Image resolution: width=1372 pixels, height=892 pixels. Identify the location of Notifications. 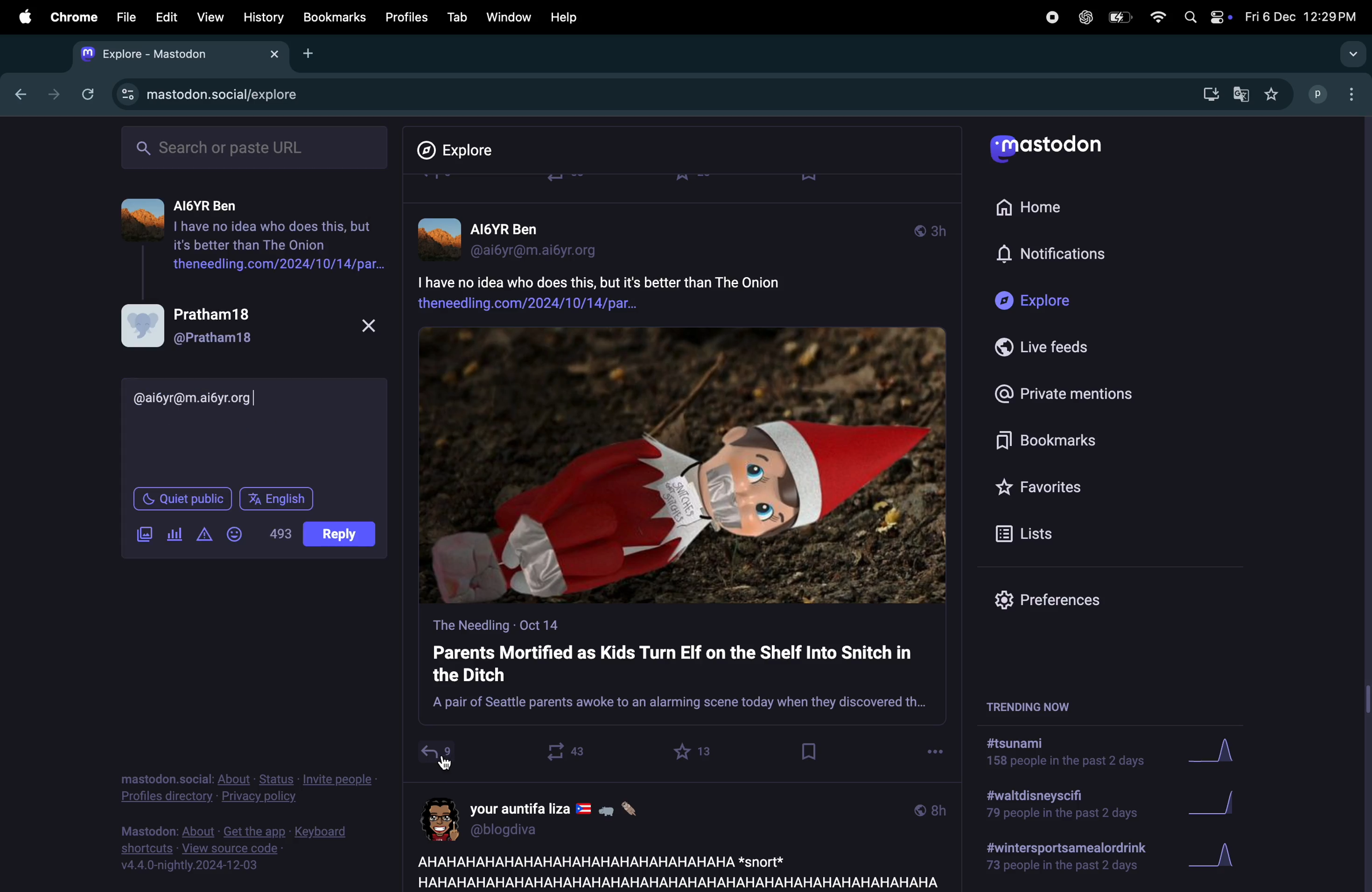
(1054, 255).